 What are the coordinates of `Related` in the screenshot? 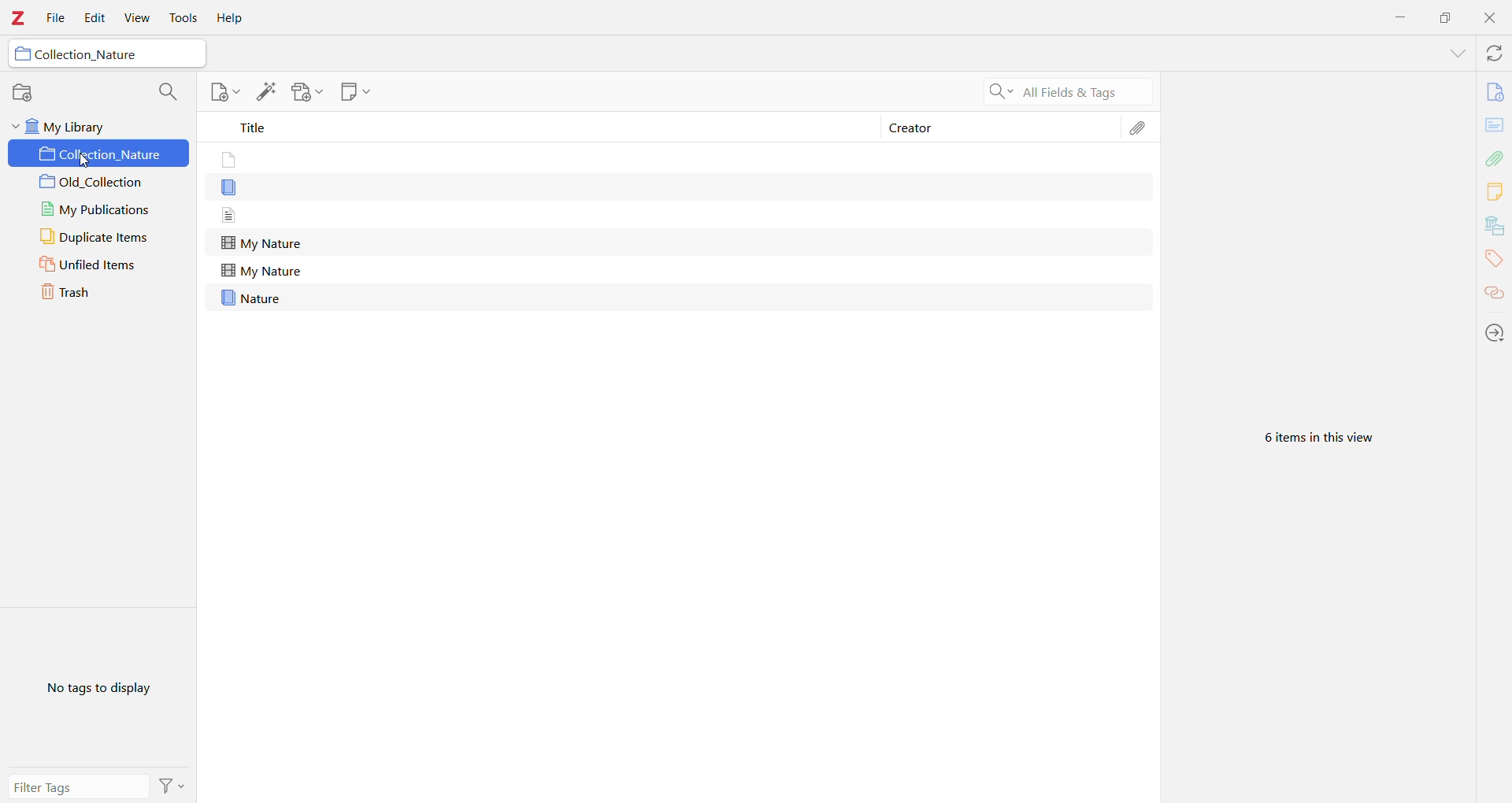 It's located at (1495, 294).